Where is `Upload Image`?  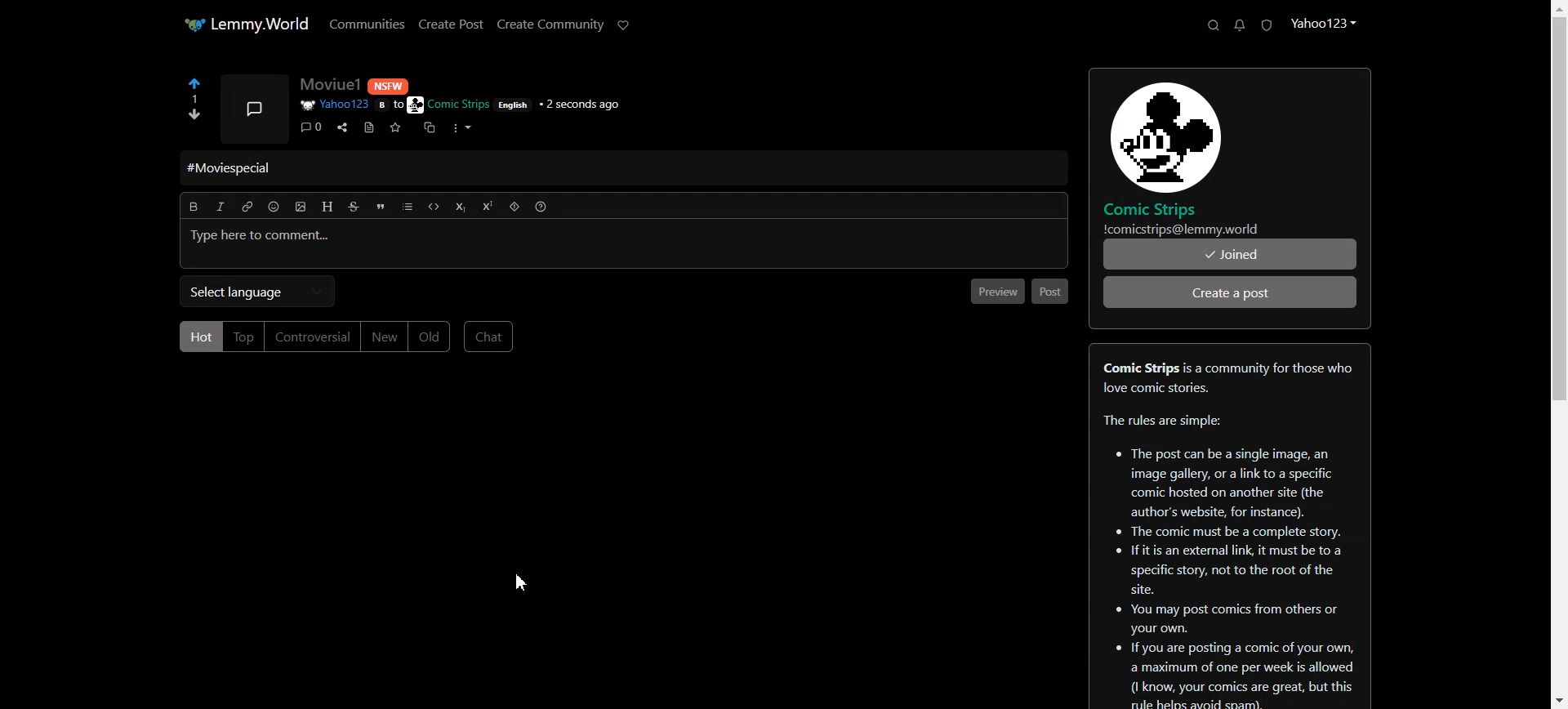 Upload Image is located at coordinates (300, 207).